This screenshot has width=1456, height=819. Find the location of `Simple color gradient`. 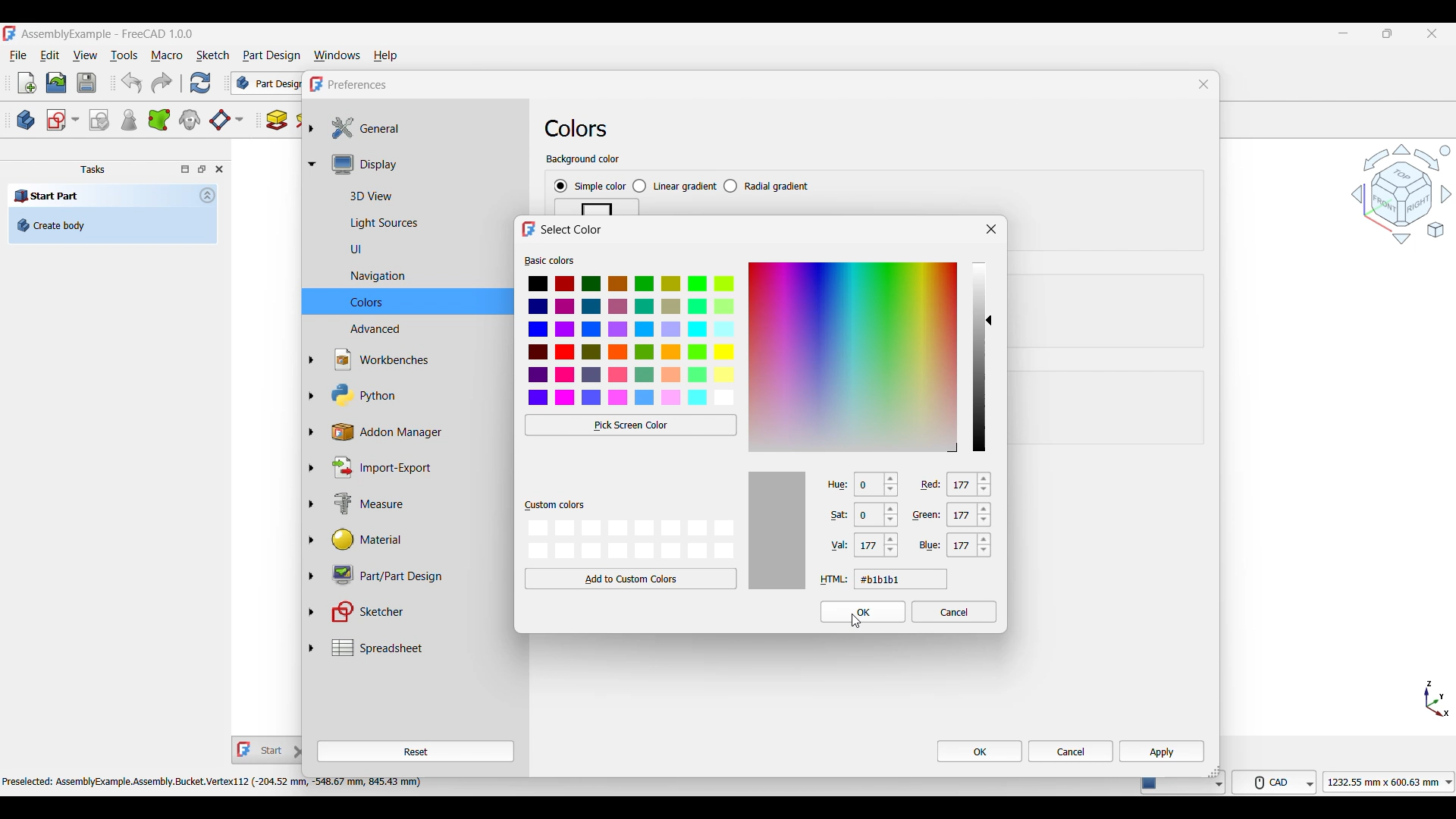

Simple color gradient is located at coordinates (590, 187).